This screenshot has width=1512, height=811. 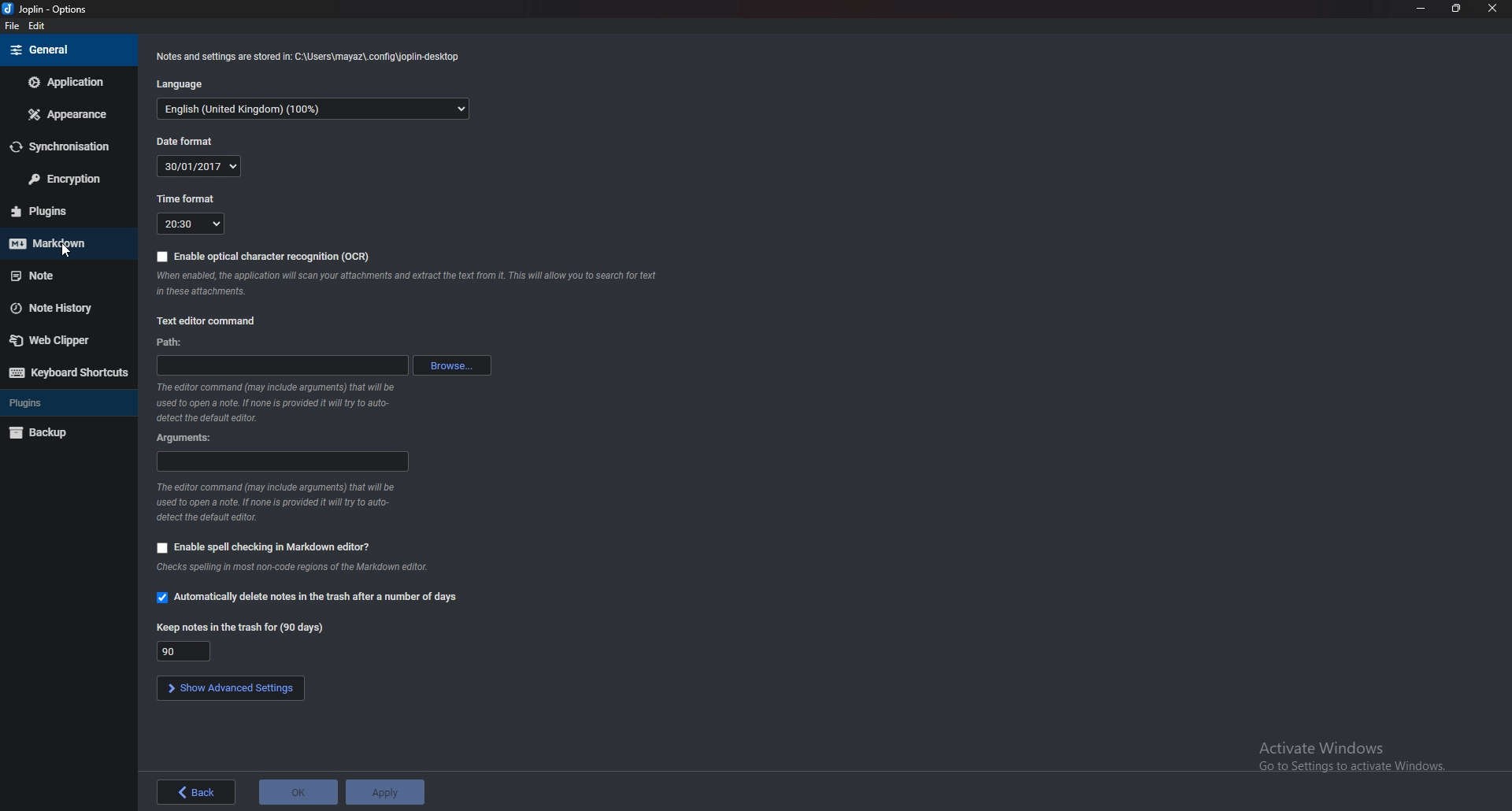 I want to click on info, so click(x=309, y=58).